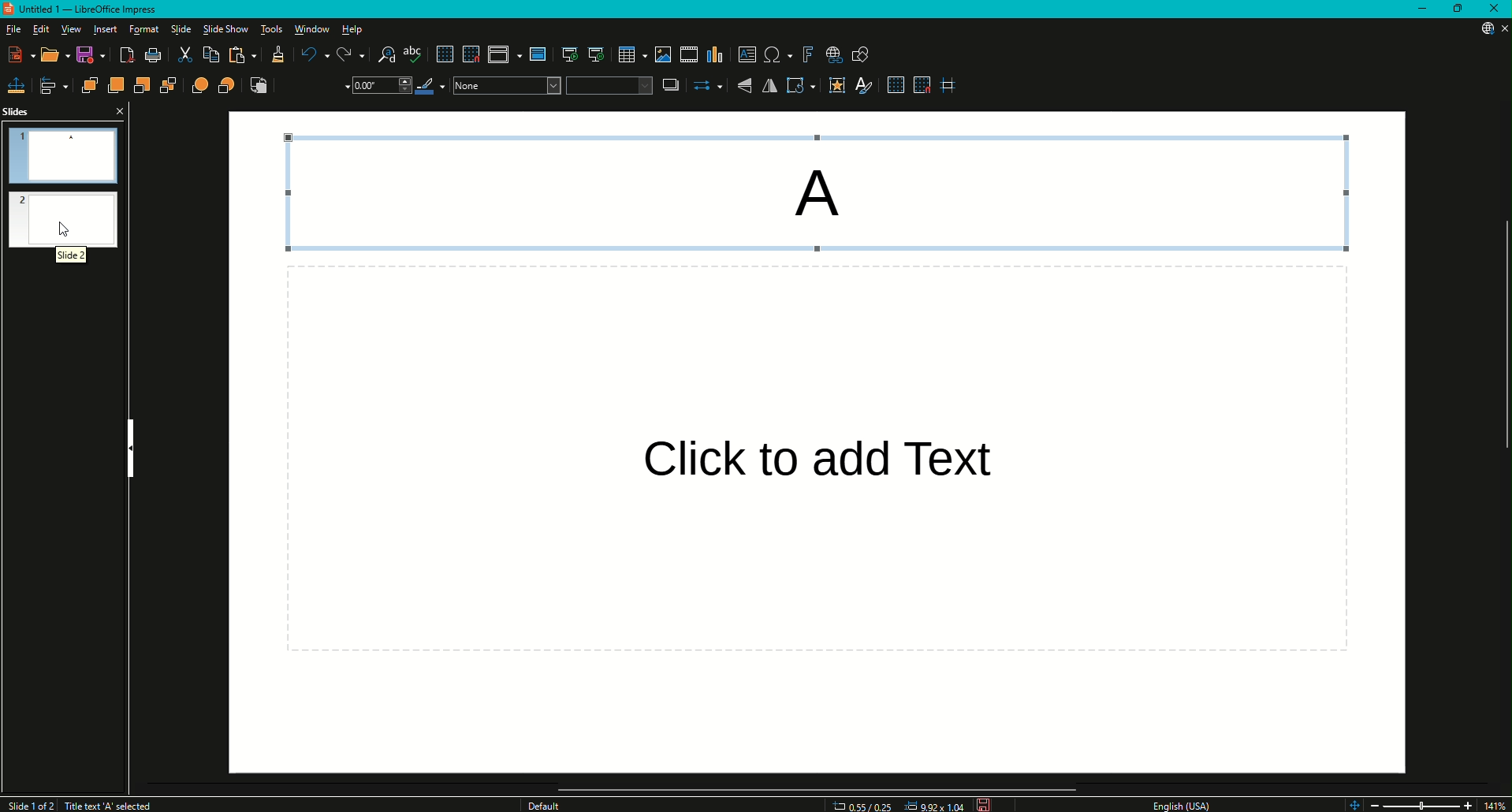 Image resolution: width=1512 pixels, height=812 pixels. I want to click on Insert Image, so click(660, 53).